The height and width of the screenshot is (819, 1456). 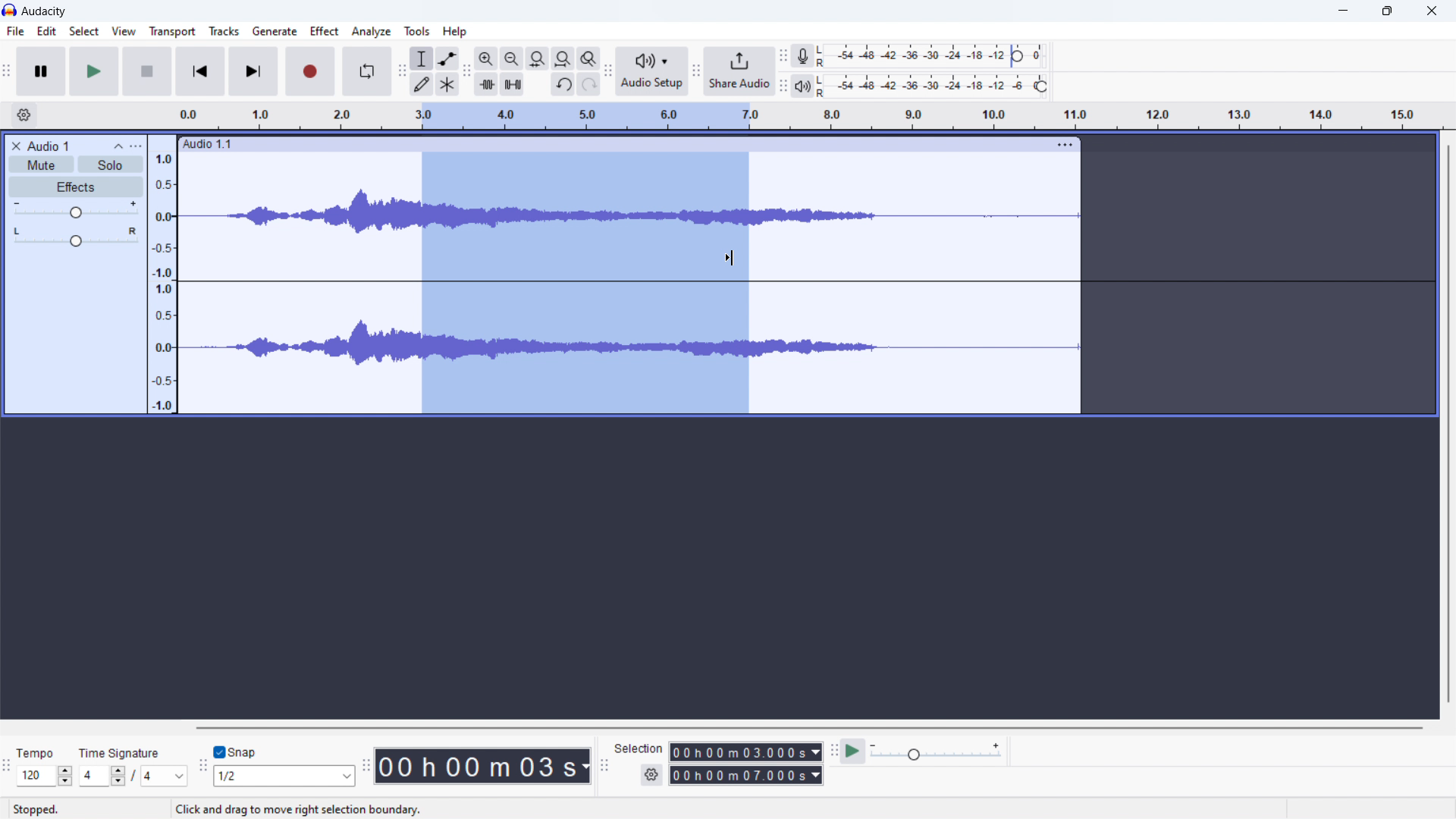 I want to click on time signature, so click(x=807, y=114).